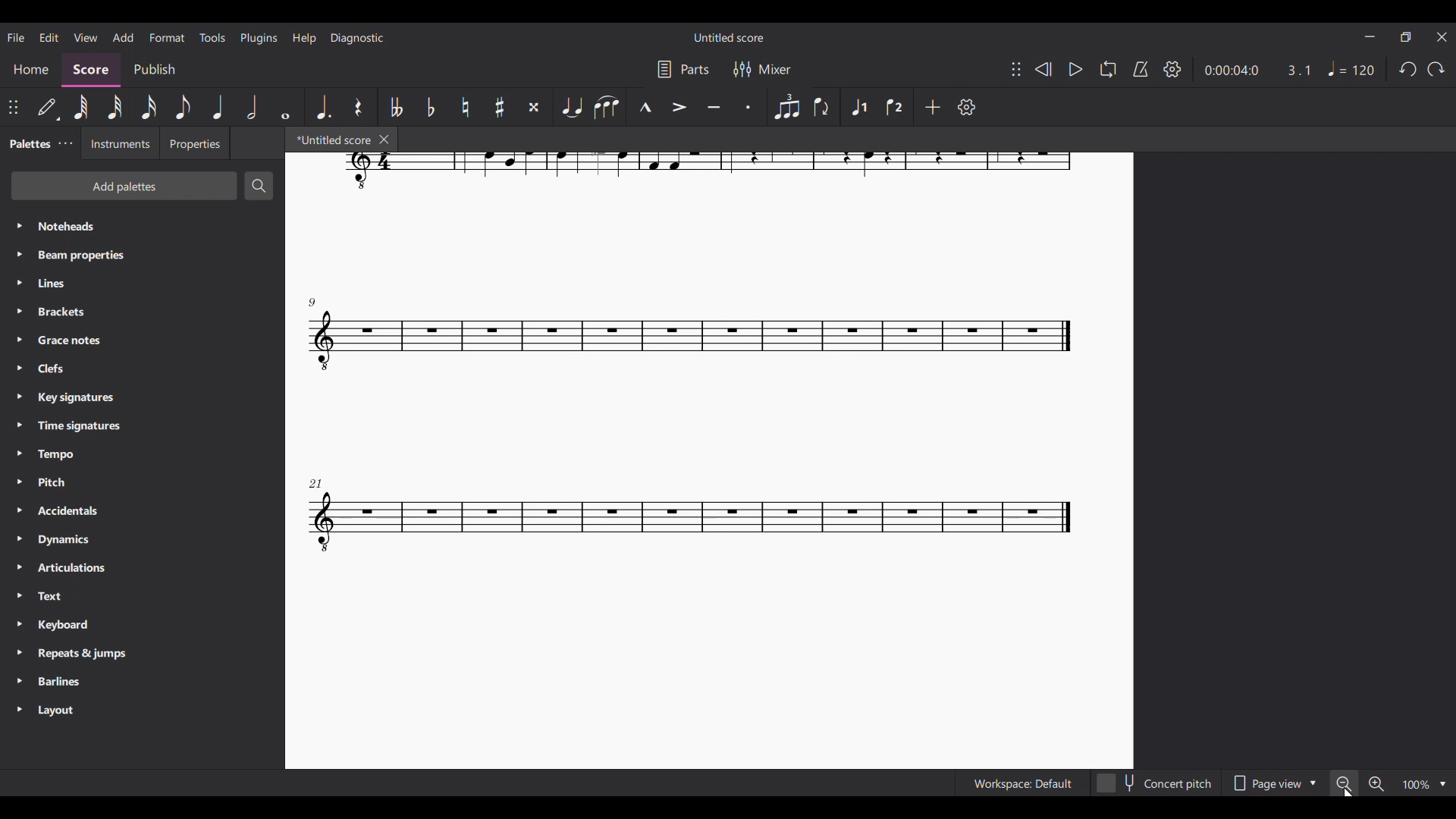  Describe the element at coordinates (123, 37) in the screenshot. I see `Add menu` at that location.